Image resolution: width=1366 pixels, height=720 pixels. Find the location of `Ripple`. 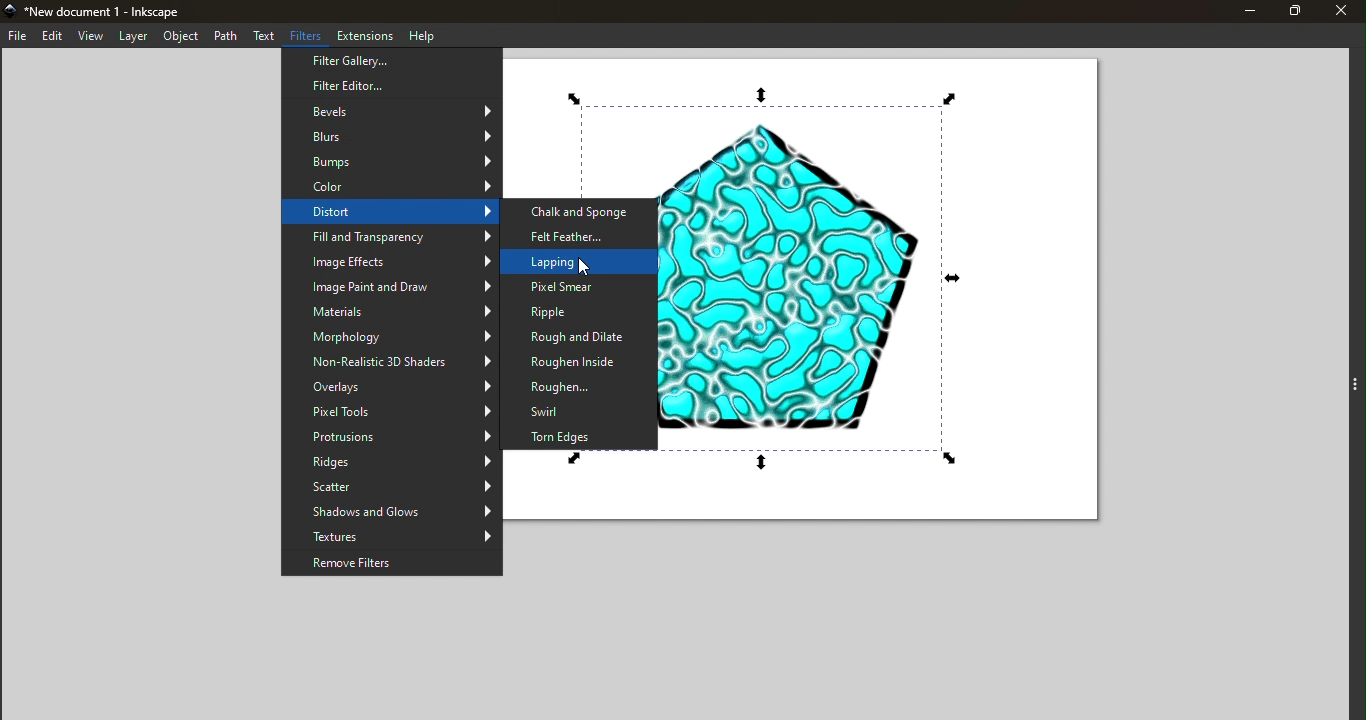

Ripple is located at coordinates (574, 312).